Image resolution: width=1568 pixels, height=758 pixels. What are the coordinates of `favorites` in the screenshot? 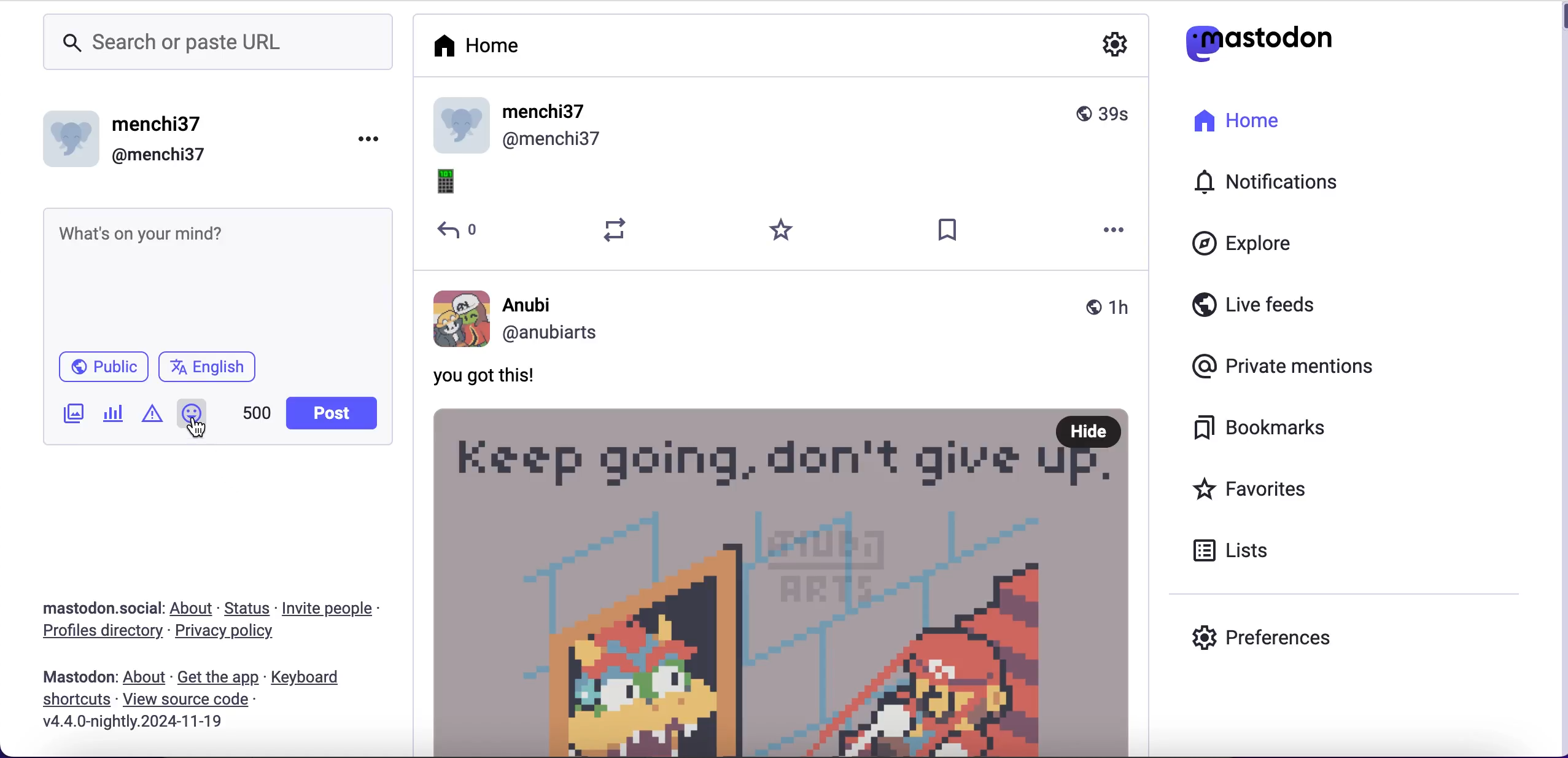 It's located at (783, 231).